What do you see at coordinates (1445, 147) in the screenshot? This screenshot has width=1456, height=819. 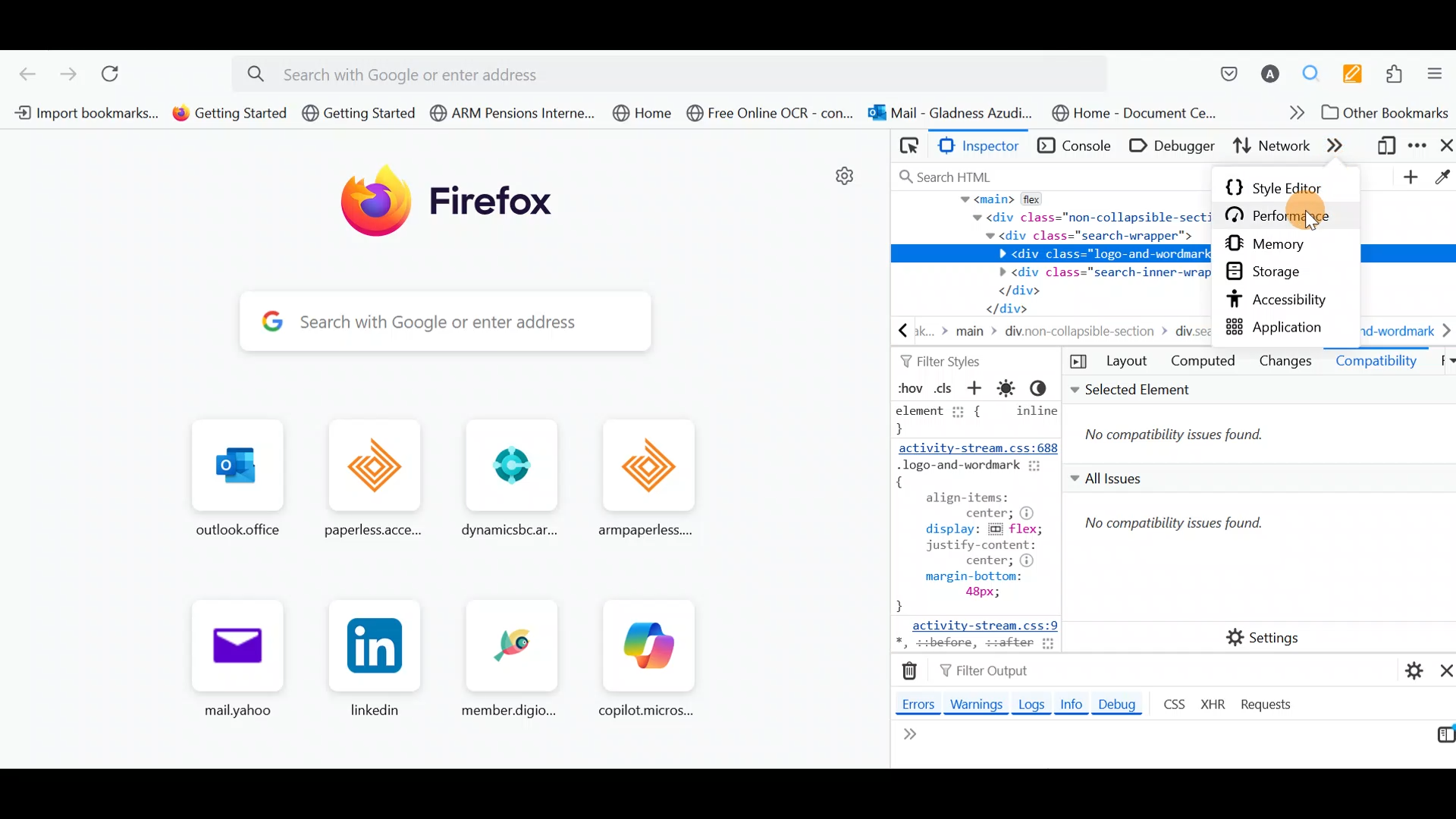 I see `Close developer tools` at bounding box center [1445, 147].